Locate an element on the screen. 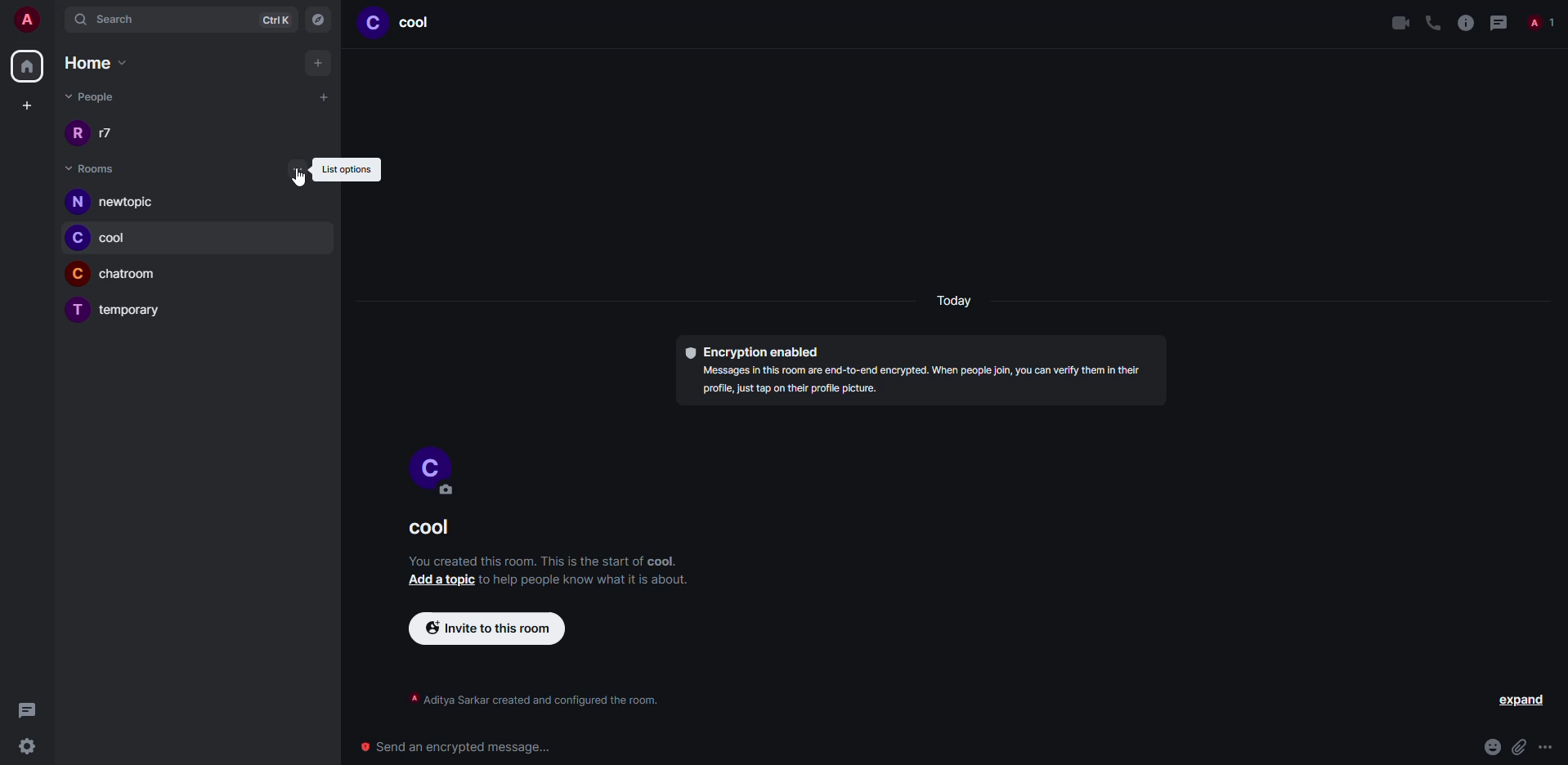 The width and height of the screenshot is (1568, 765). edit is located at coordinates (449, 491).